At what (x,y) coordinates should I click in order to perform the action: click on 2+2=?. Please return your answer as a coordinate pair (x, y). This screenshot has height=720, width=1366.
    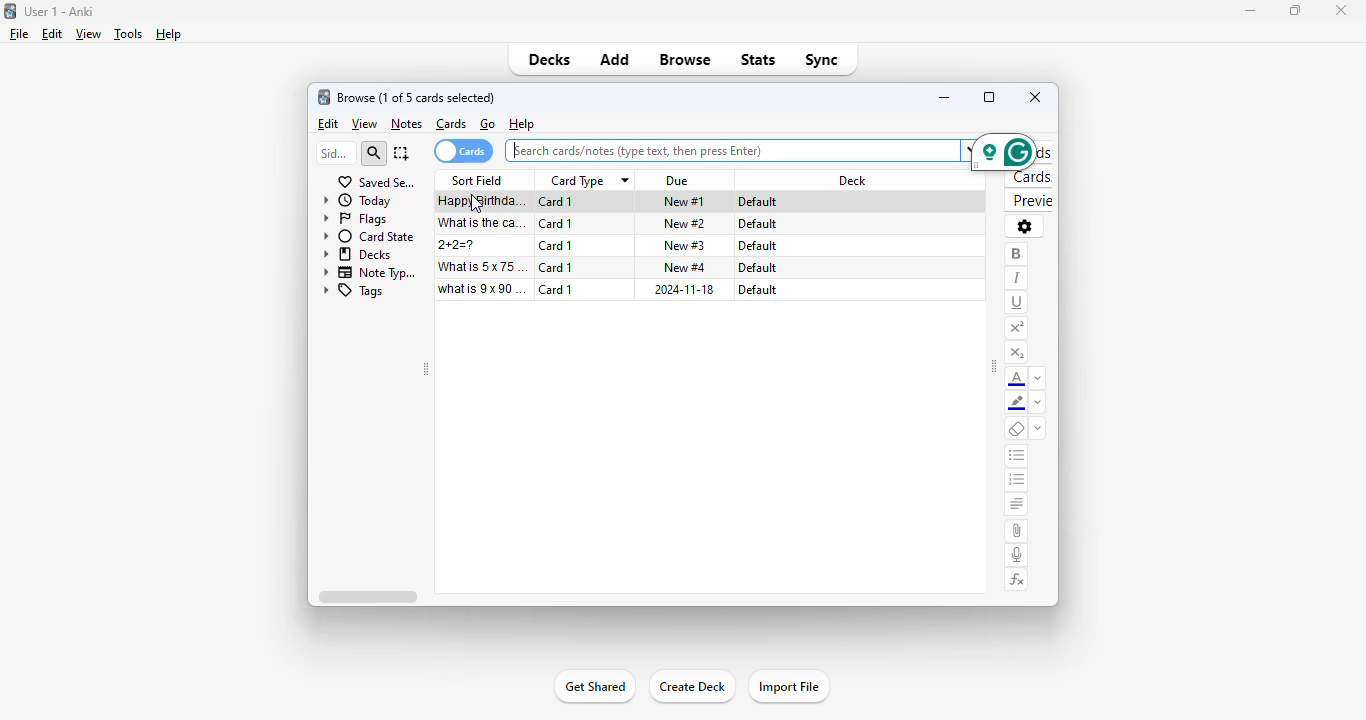
    Looking at the image, I should click on (459, 245).